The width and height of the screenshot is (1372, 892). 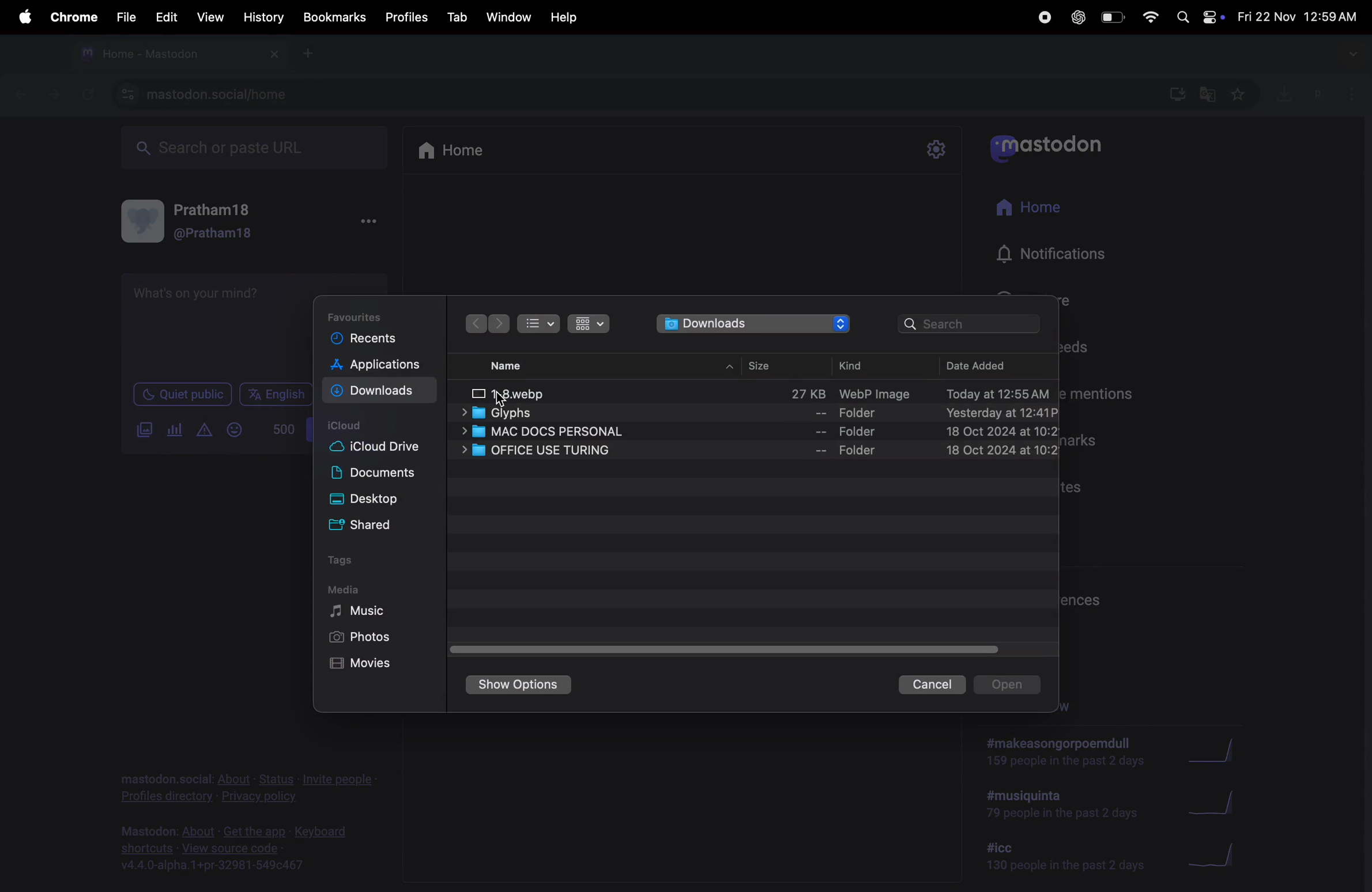 What do you see at coordinates (22, 96) in the screenshot?
I see `previous tab` at bounding box center [22, 96].